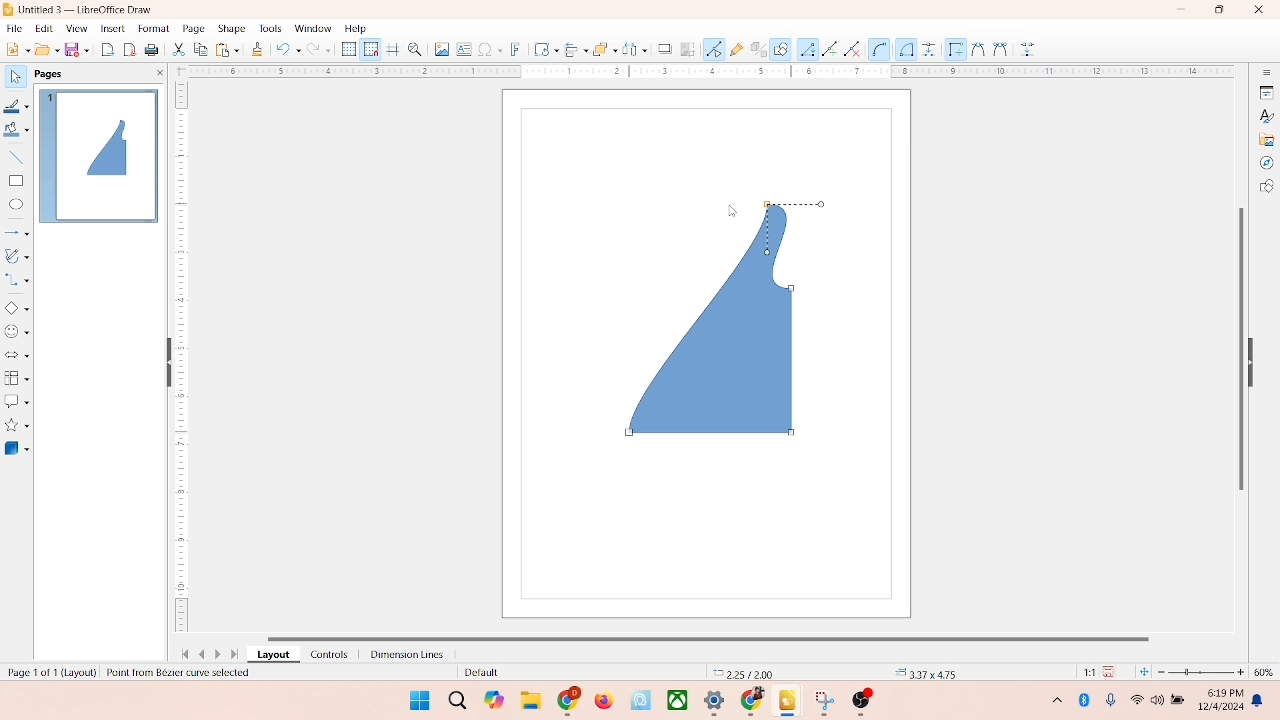  What do you see at coordinates (1267, 672) in the screenshot?
I see `zoom percentage` at bounding box center [1267, 672].